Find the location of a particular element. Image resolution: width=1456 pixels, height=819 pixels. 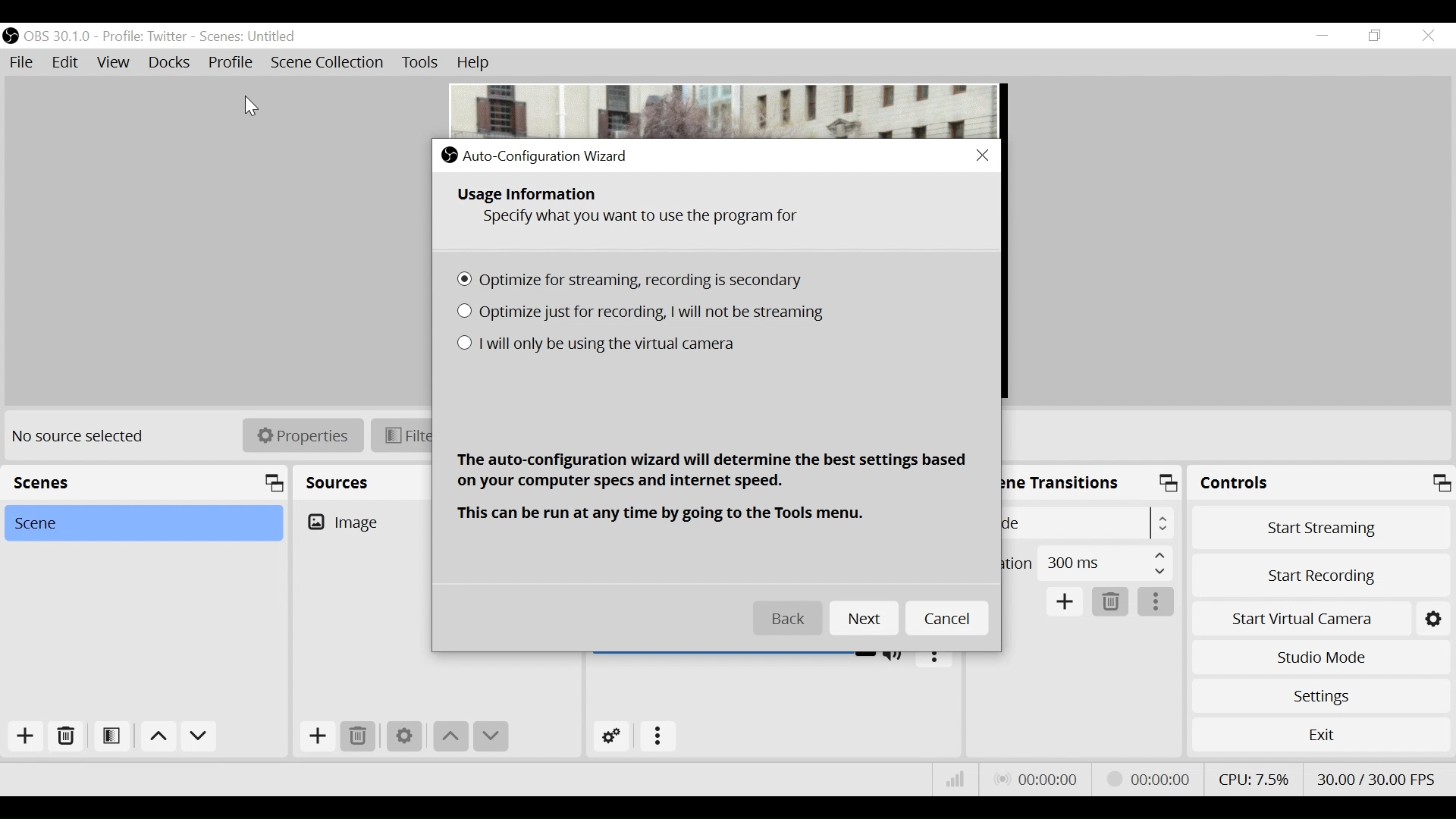

Settings  is located at coordinates (1320, 696).